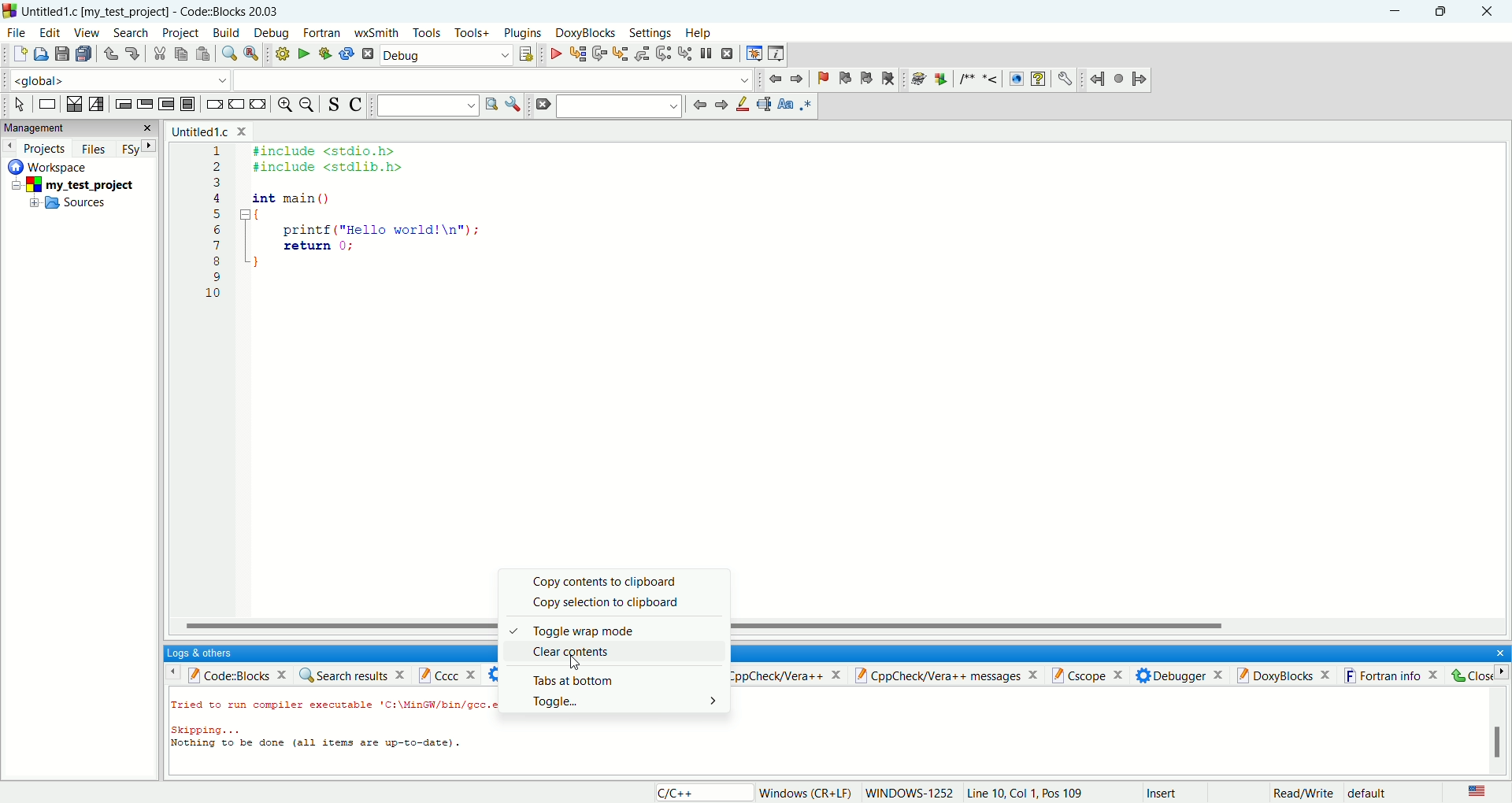 The height and width of the screenshot is (803, 1512). I want to click on read/write, so click(1303, 794).